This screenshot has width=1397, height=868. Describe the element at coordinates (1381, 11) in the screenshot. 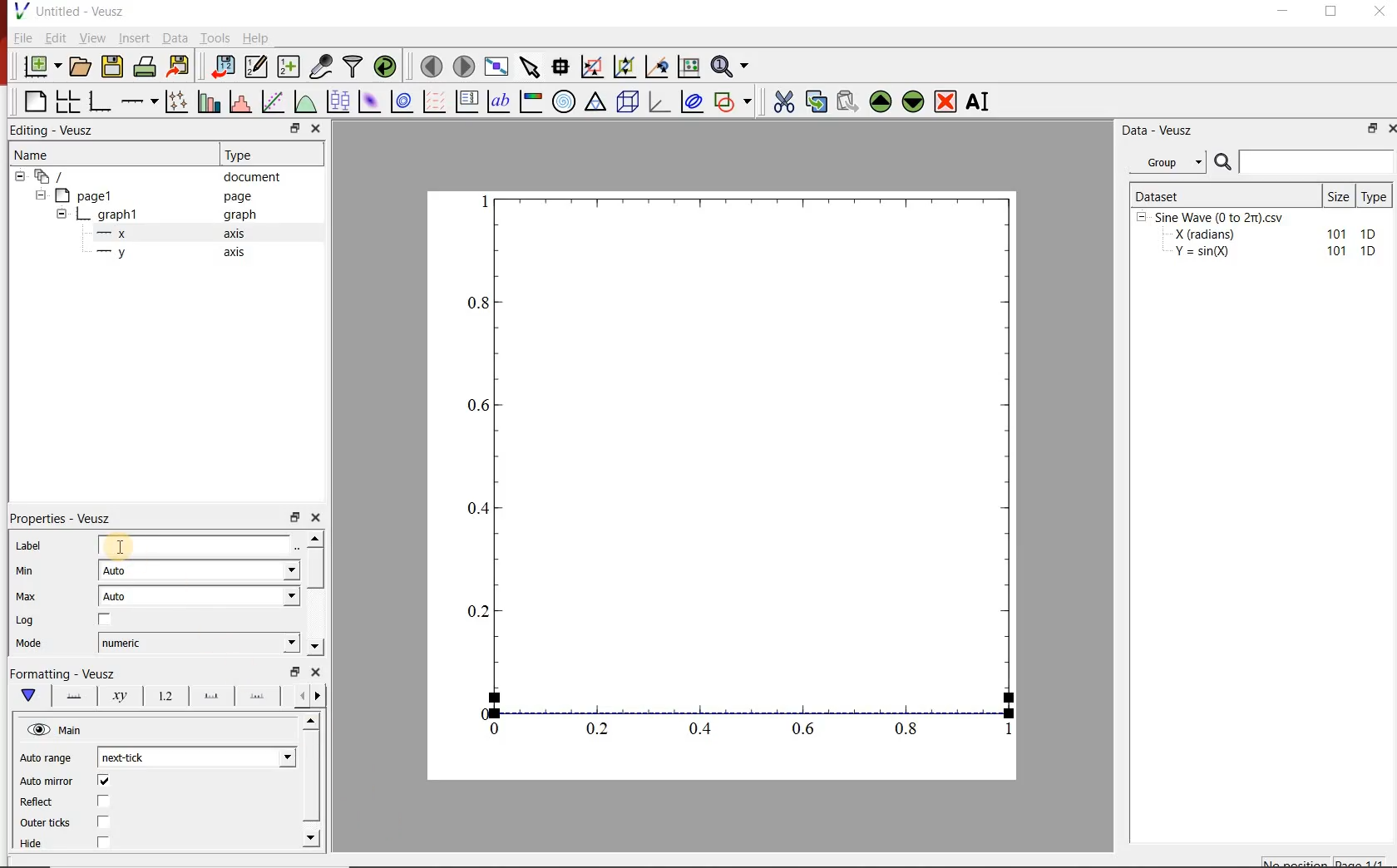

I see `Close` at that location.